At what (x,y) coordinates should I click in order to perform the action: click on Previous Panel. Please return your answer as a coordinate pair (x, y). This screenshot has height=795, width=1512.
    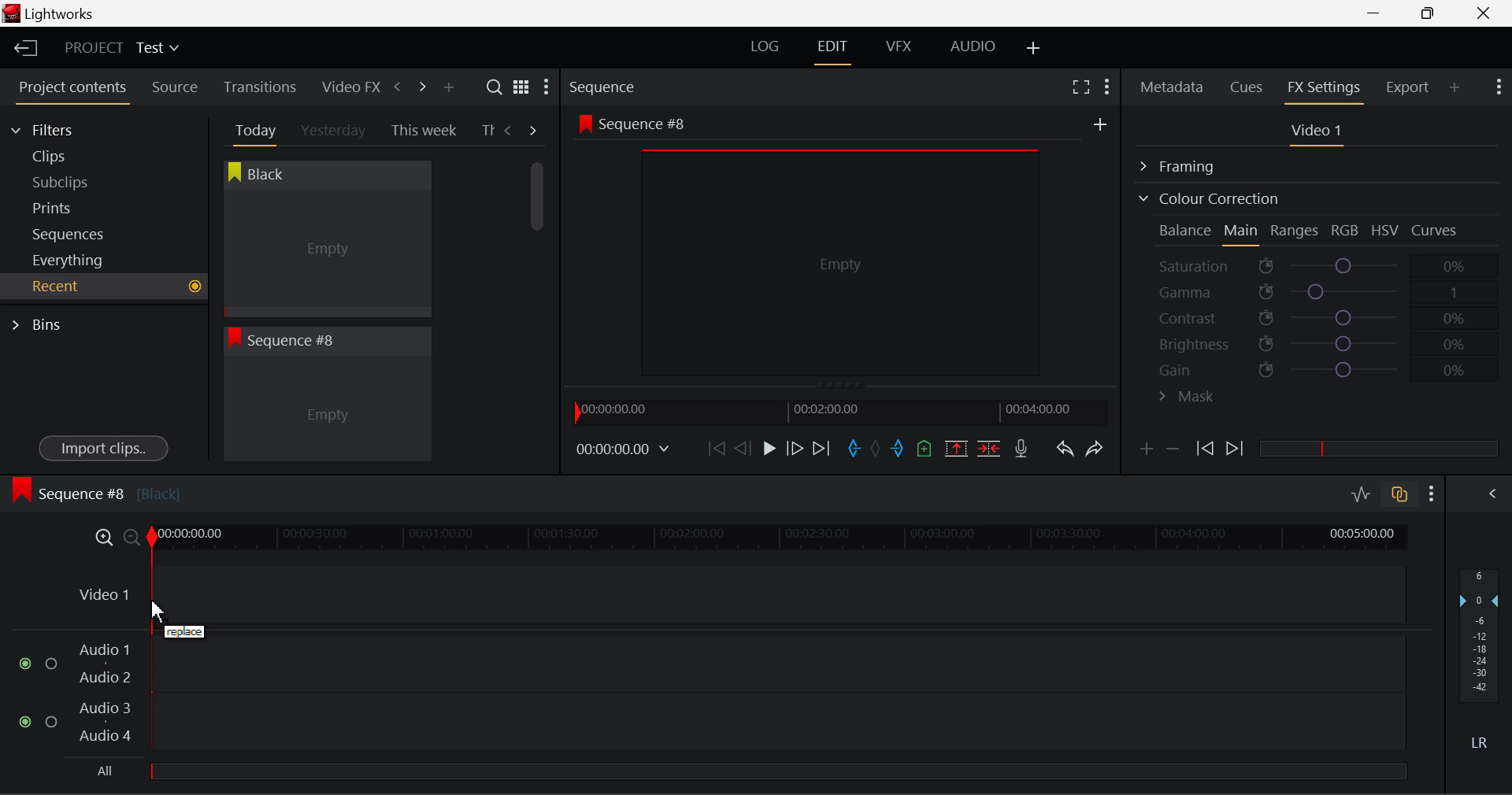
    Looking at the image, I should click on (397, 87).